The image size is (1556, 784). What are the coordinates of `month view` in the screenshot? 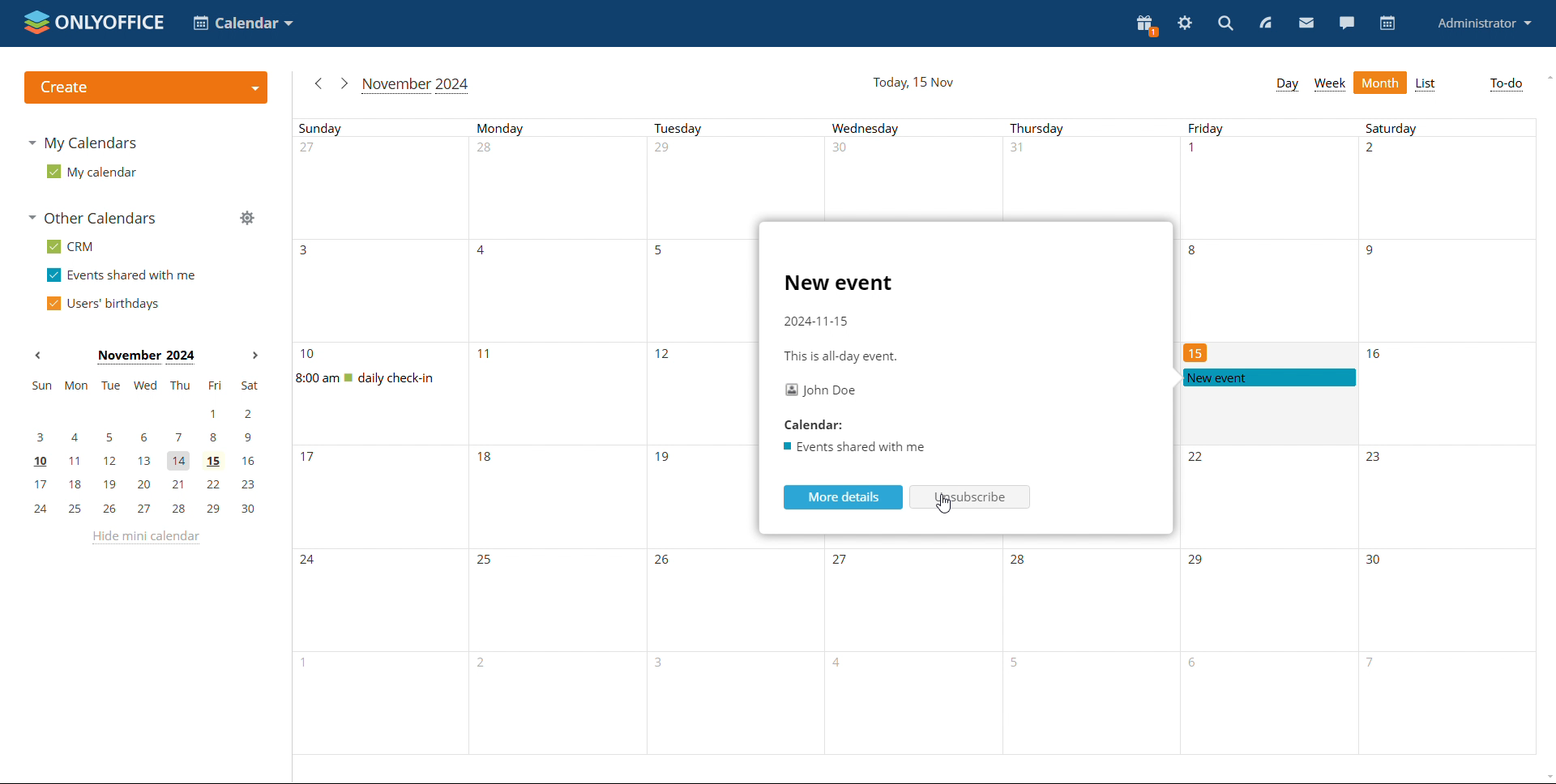 It's located at (1380, 83).